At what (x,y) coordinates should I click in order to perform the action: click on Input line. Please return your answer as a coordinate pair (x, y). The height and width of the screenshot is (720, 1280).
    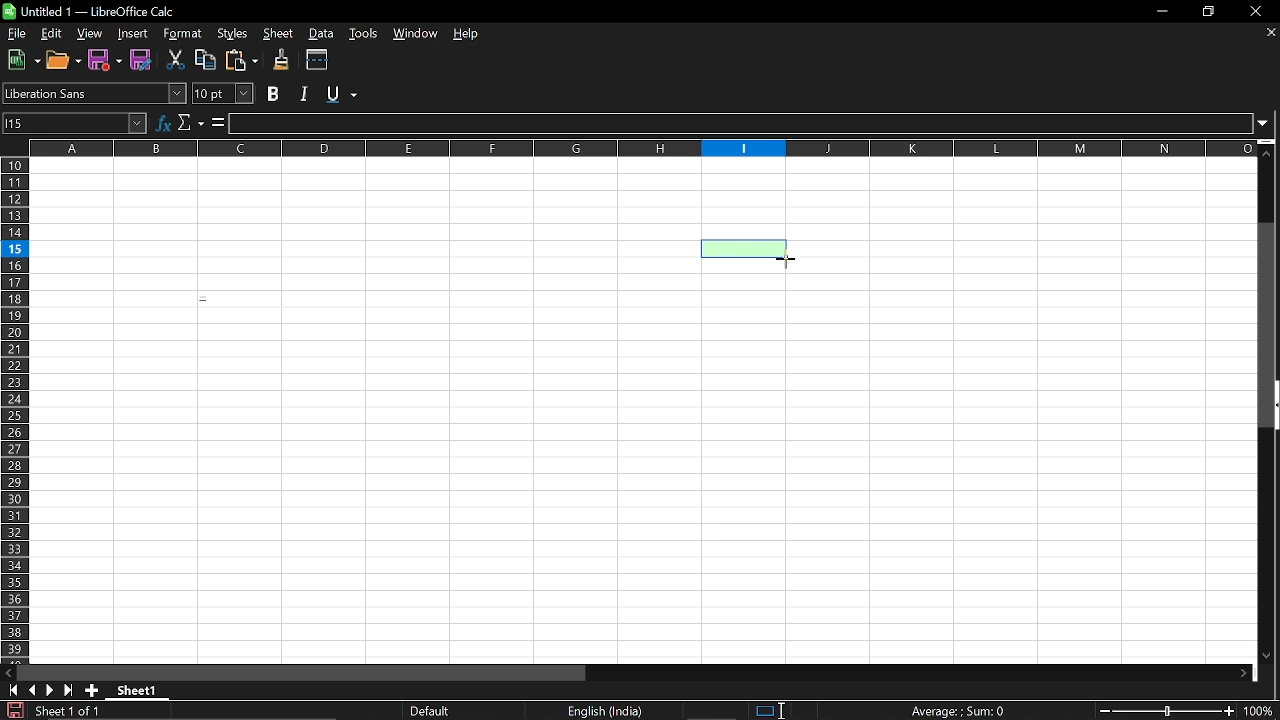
    Looking at the image, I should click on (742, 124).